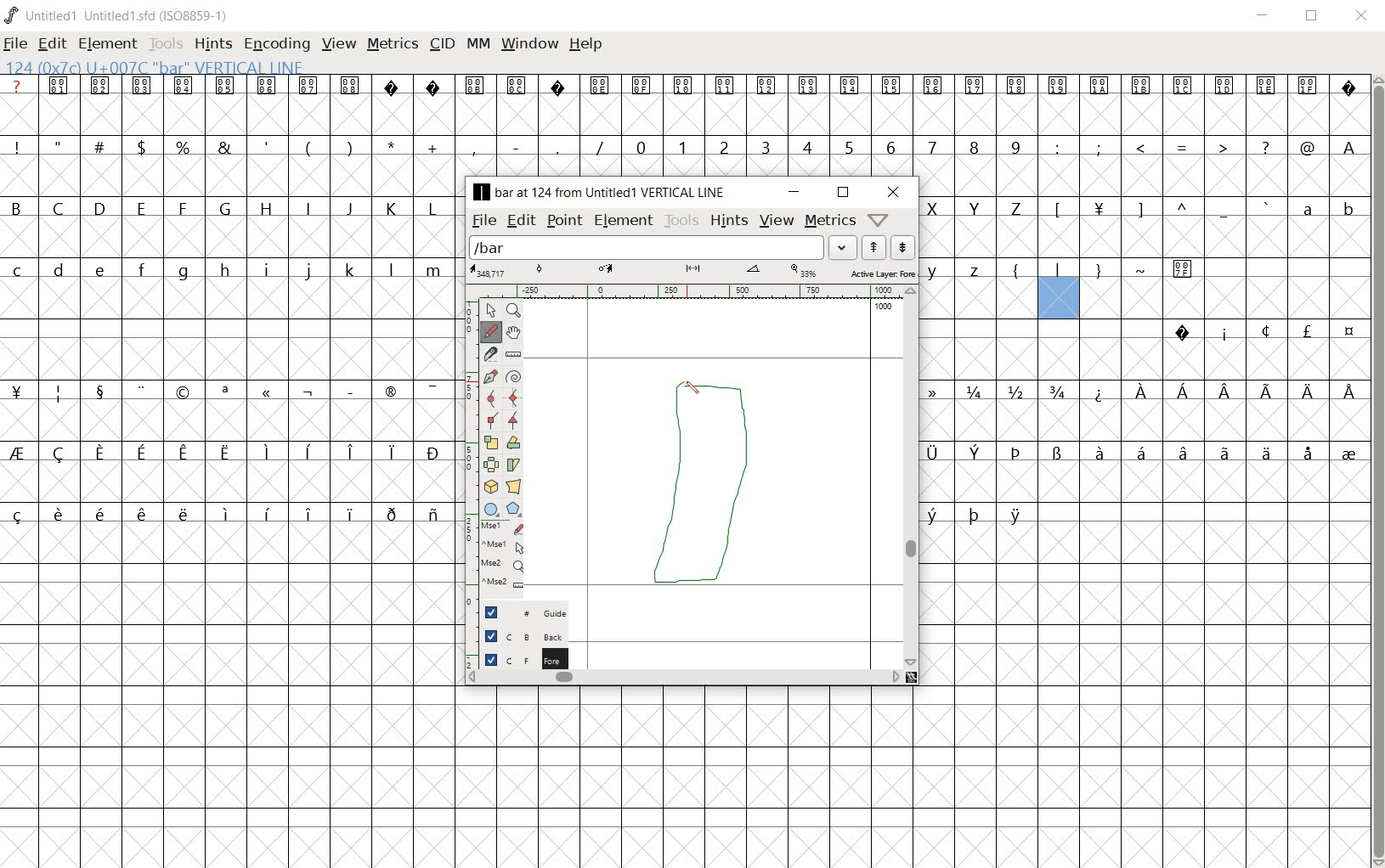  Describe the element at coordinates (514, 486) in the screenshot. I see `perform a perspective transformation on the selection` at that location.